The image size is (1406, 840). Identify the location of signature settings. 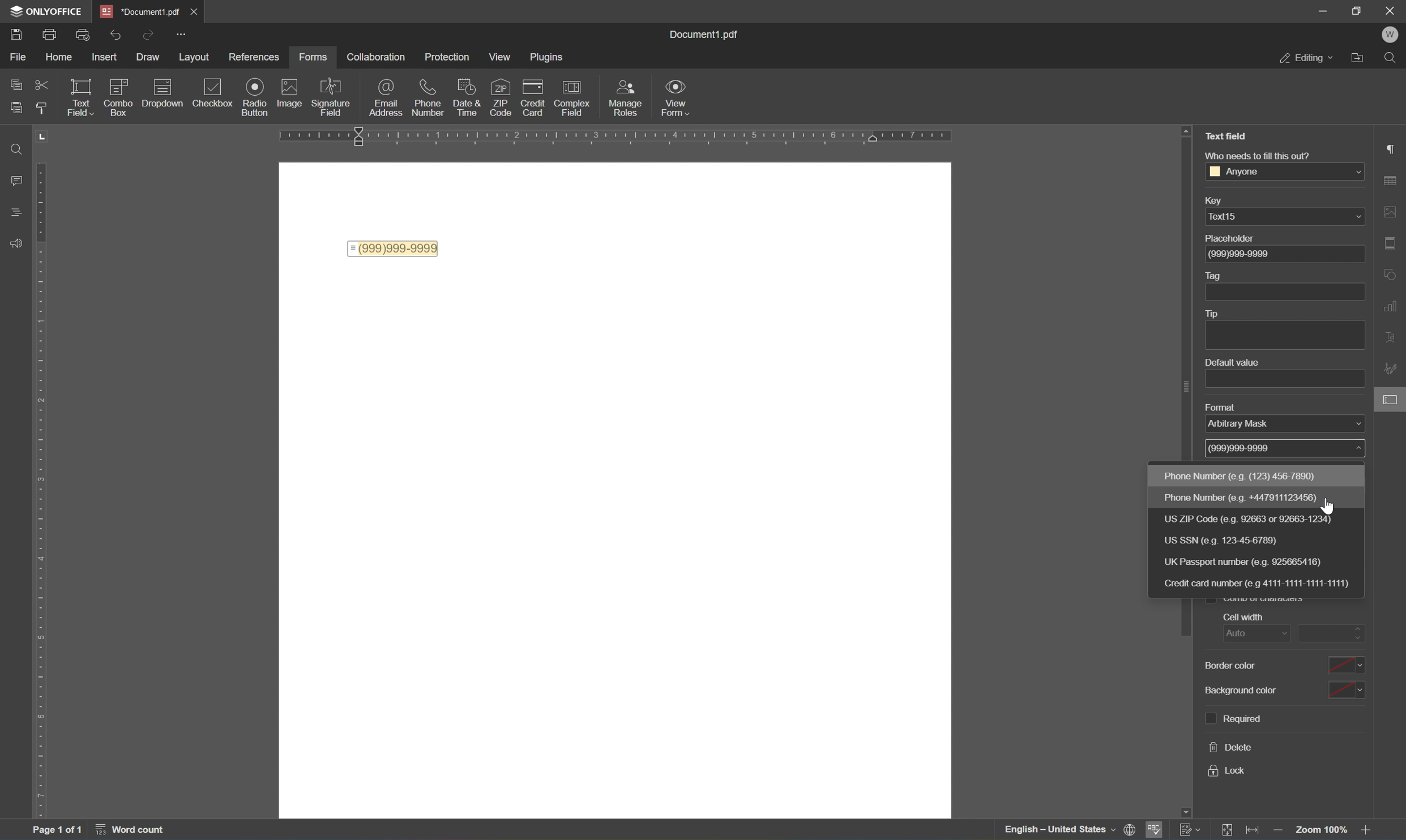
(1392, 370).